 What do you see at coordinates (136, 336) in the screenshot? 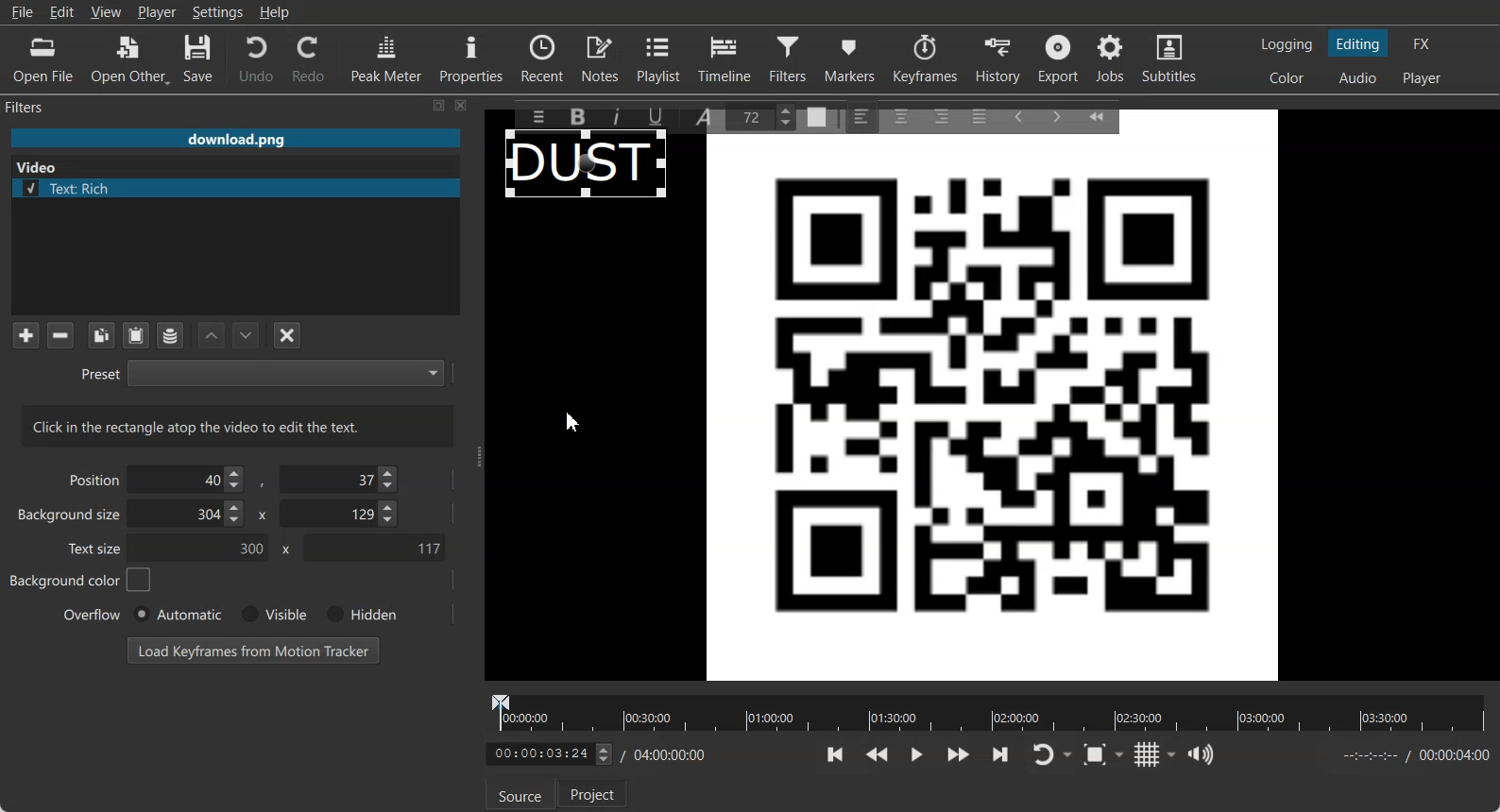
I see `Paste Filters` at bounding box center [136, 336].